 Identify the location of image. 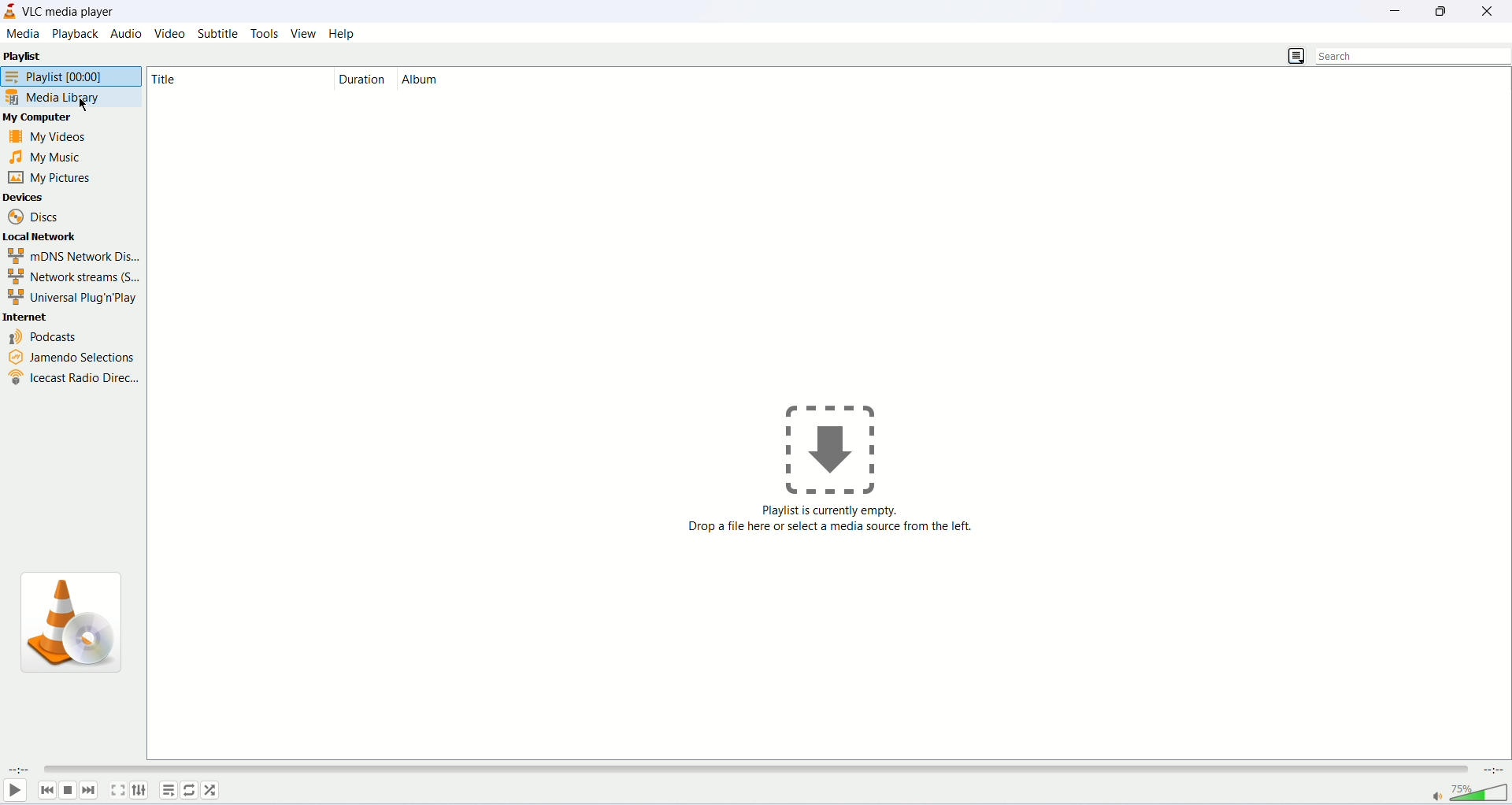
(73, 625).